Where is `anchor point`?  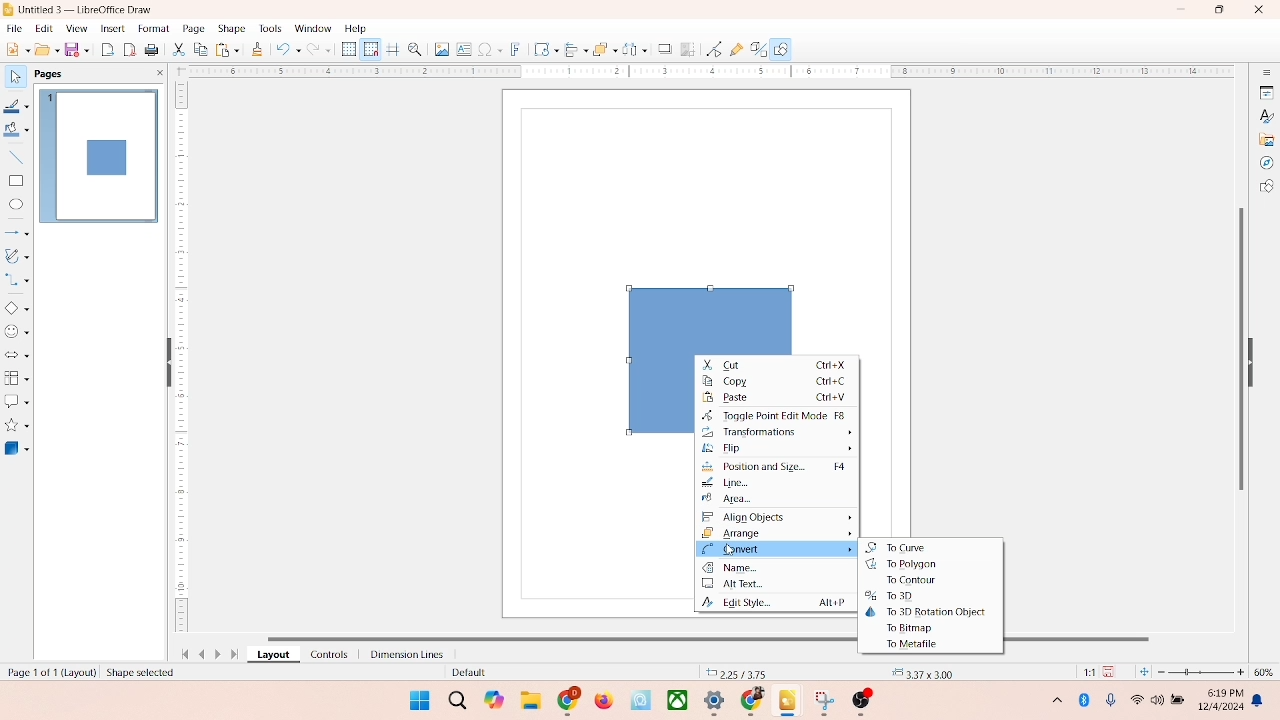 anchor point is located at coordinates (920, 671).